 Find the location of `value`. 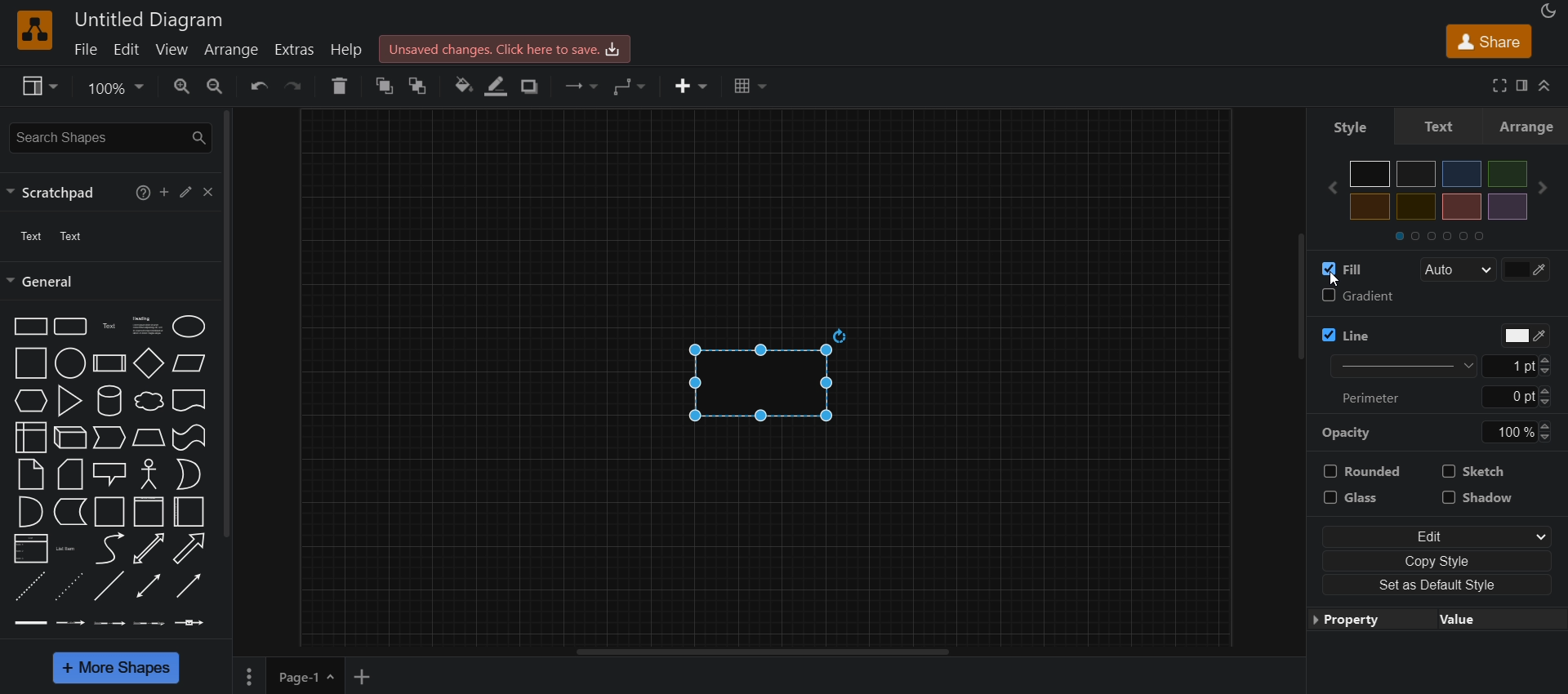

value is located at coordinates (1490, 623).